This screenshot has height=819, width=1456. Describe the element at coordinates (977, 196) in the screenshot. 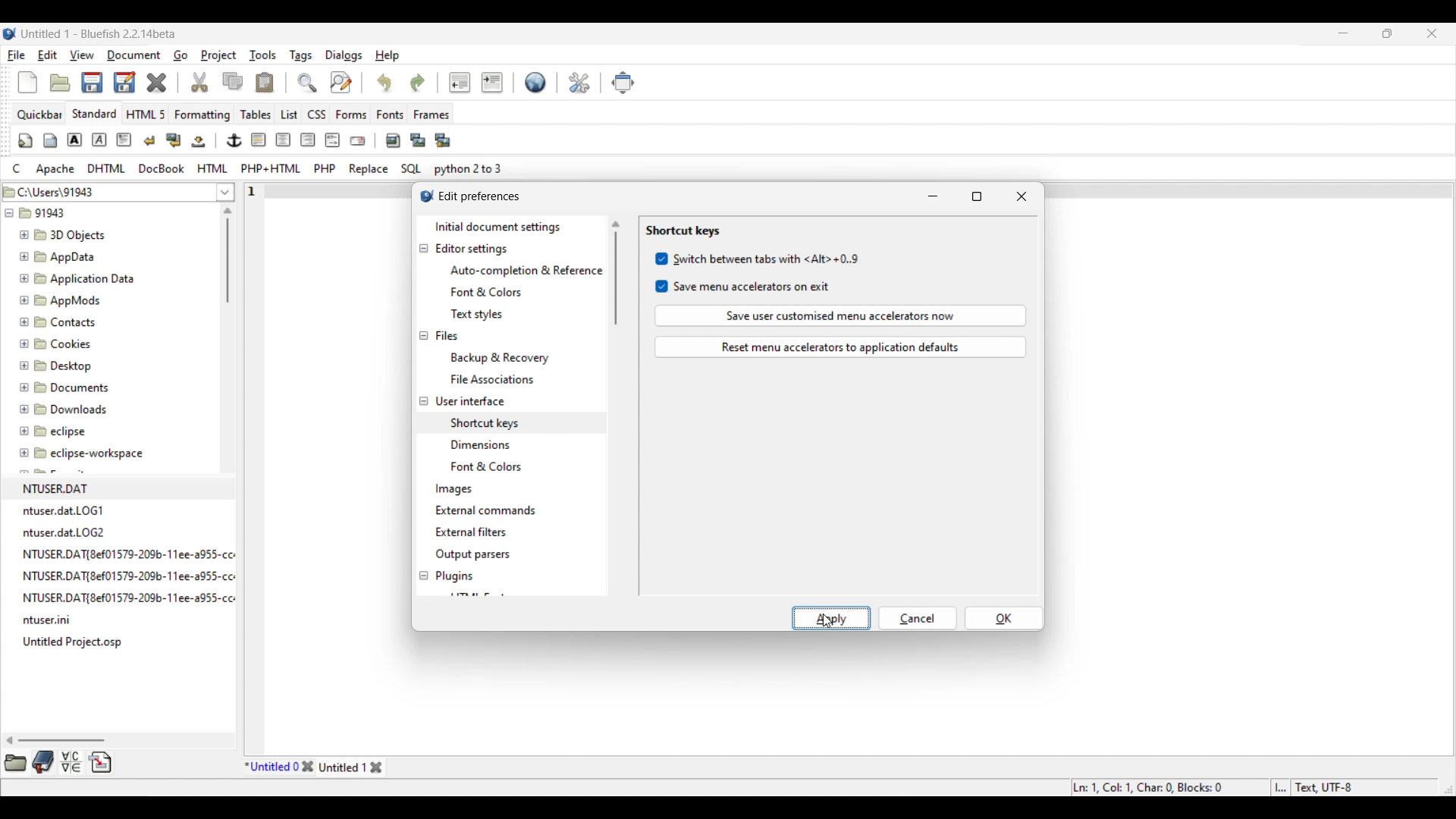

I see `Maximize` at that location.